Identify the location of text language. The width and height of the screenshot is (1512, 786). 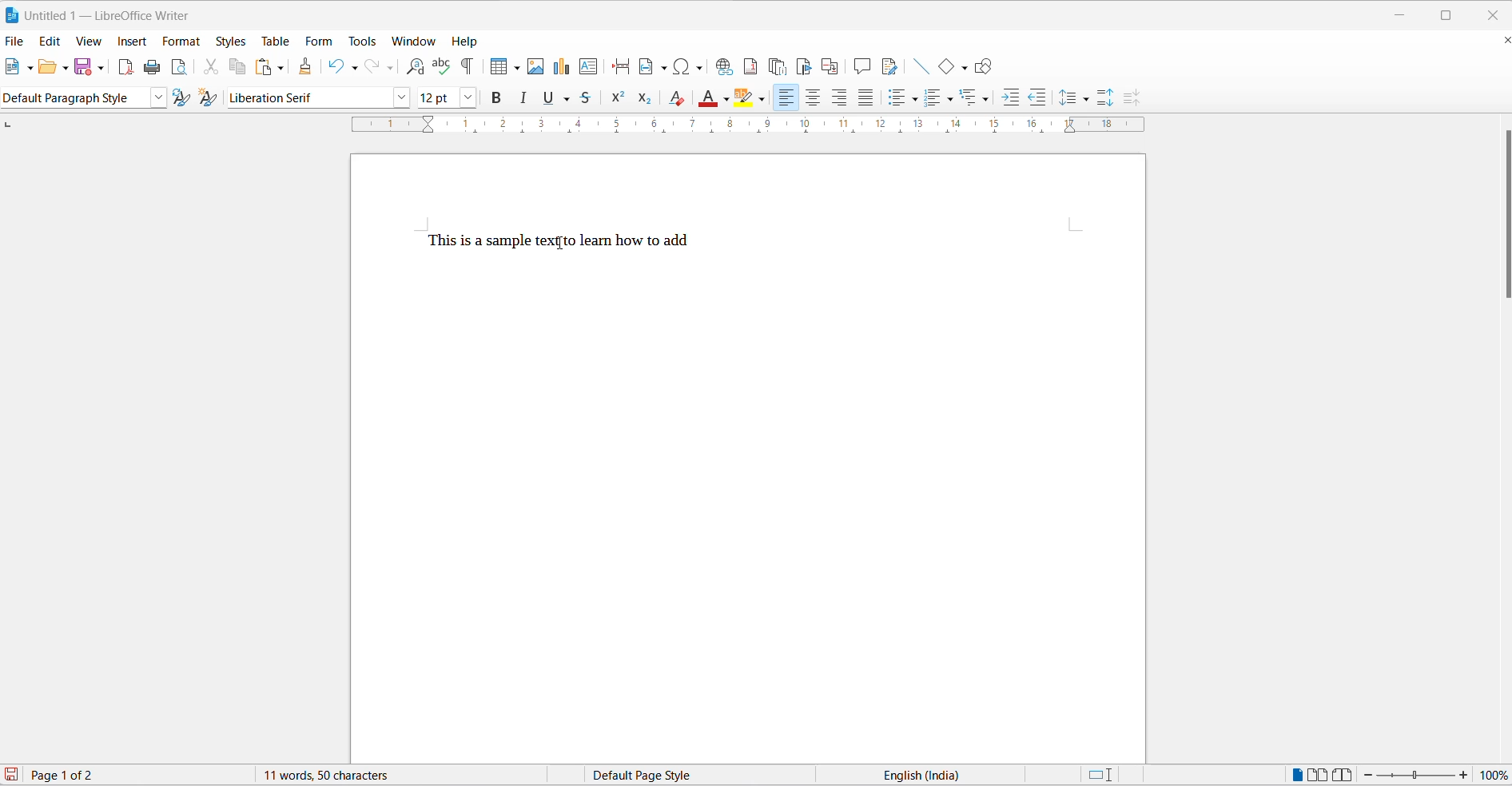
(910, 776).